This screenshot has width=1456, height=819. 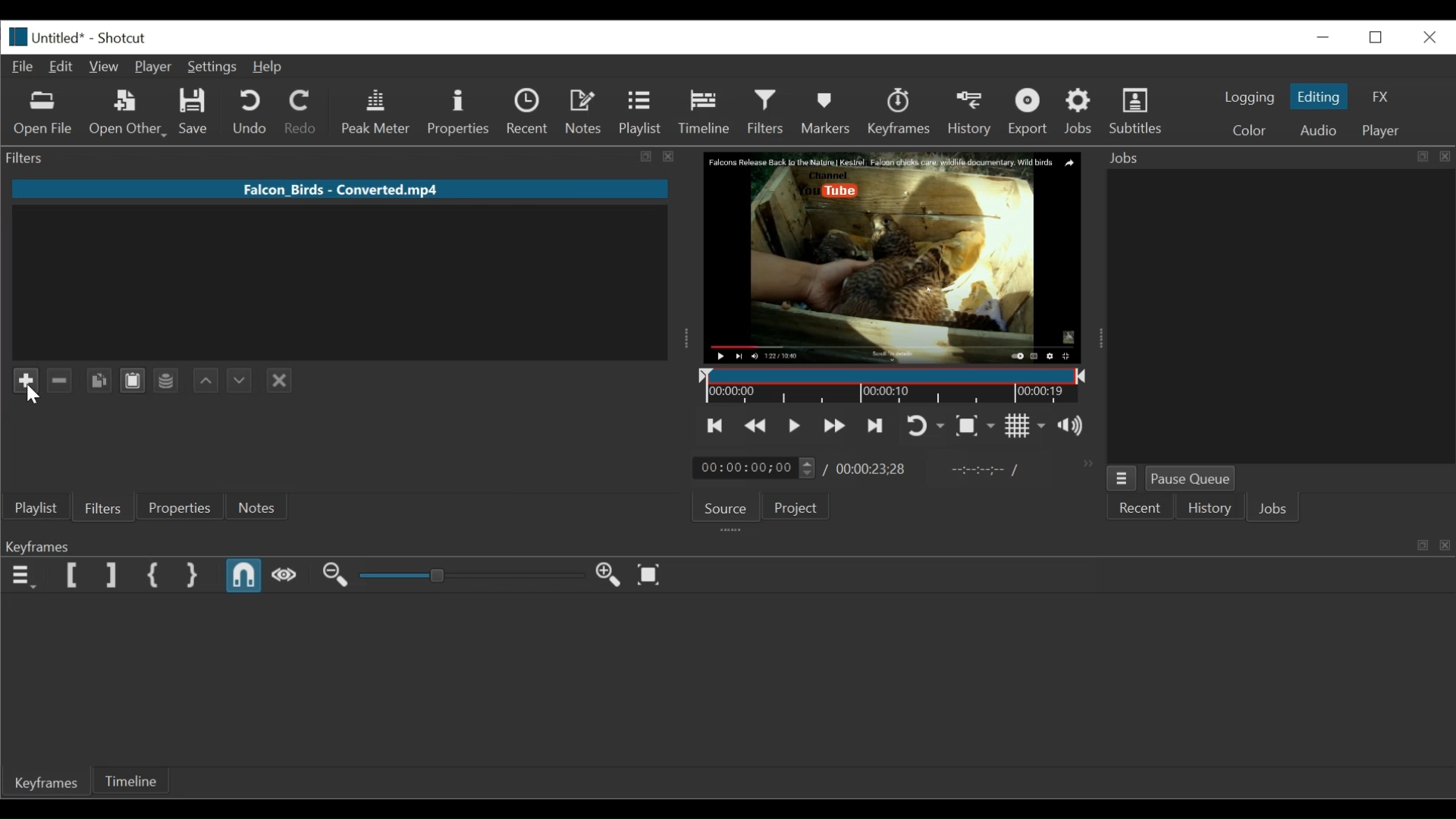 What do you see at coordinates (1325, 35) in the screenshot?
I see `Restore` at bounding box center [1325, 35].